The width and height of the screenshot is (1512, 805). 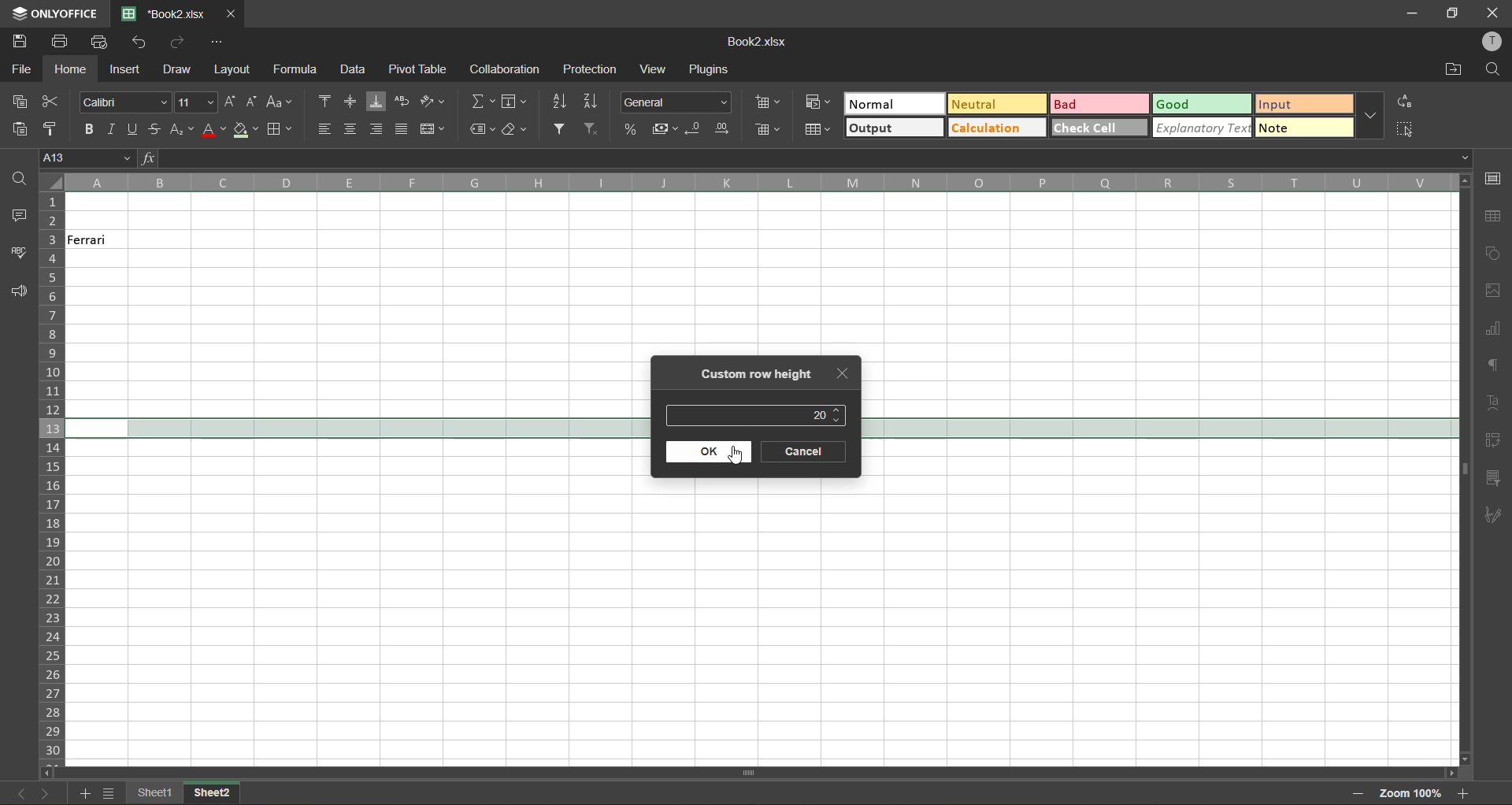 What do you see at coordinates (1302, 126) in the screenshot?
I see `note` at bounding box center [1302, 126].